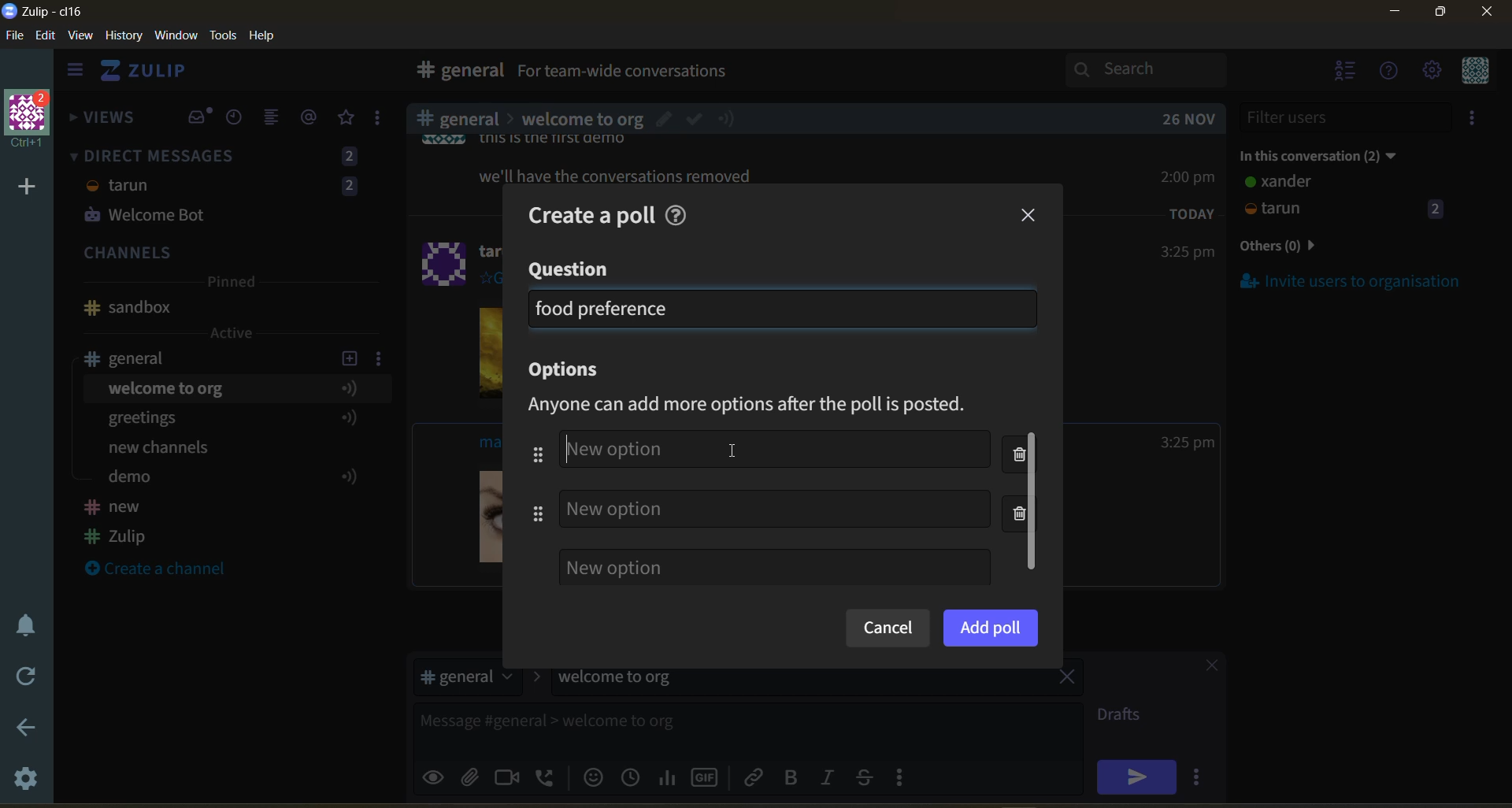 This screenshot has width=1512, height=808. I want to click on channel settings, so click(382, 358).